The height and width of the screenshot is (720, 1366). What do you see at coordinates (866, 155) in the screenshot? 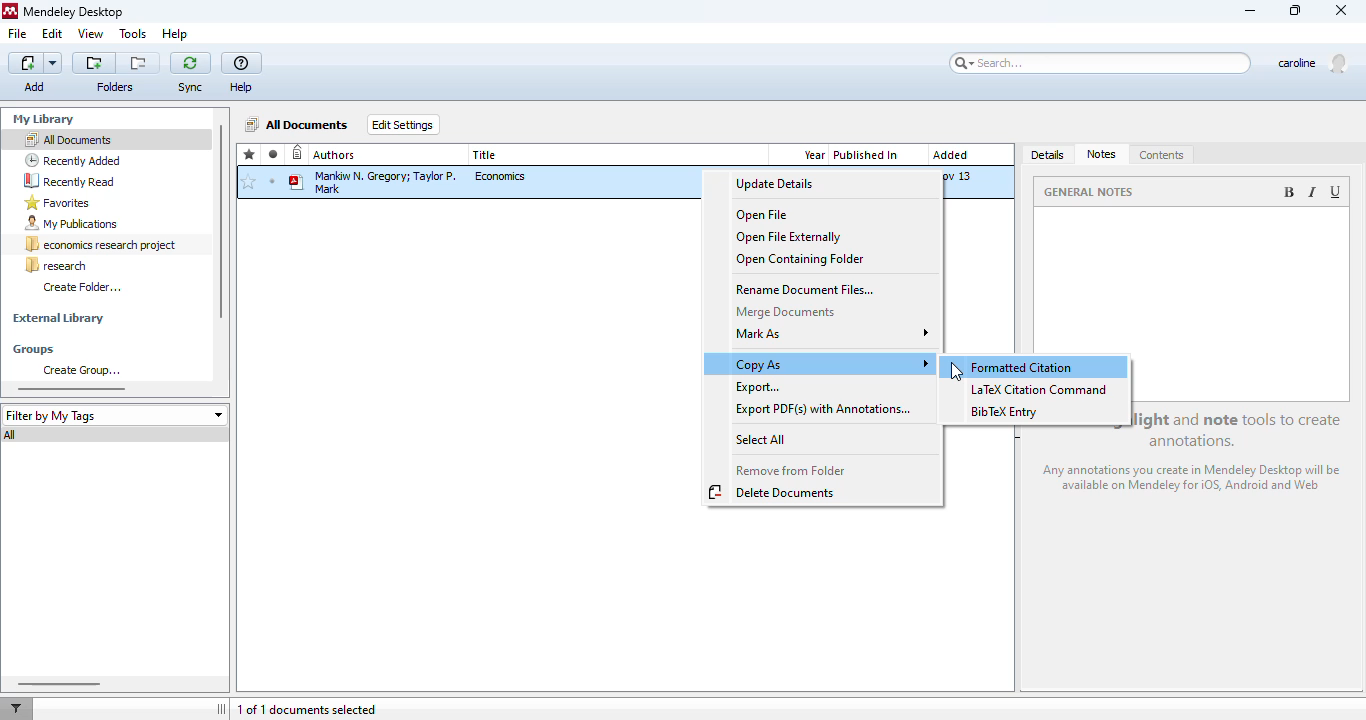
I see `published in` at bounding box center [866, 155].